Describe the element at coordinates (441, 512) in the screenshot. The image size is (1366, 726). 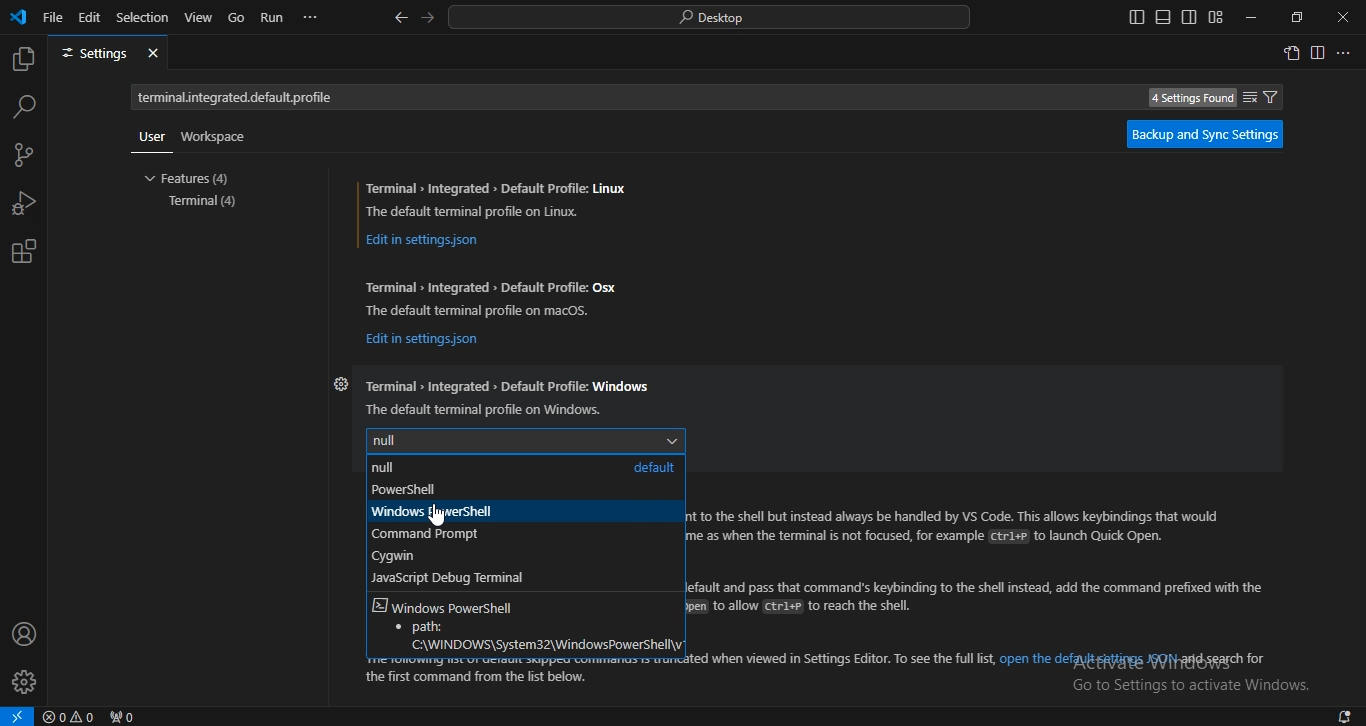
I see `windowspowershell` at that location.